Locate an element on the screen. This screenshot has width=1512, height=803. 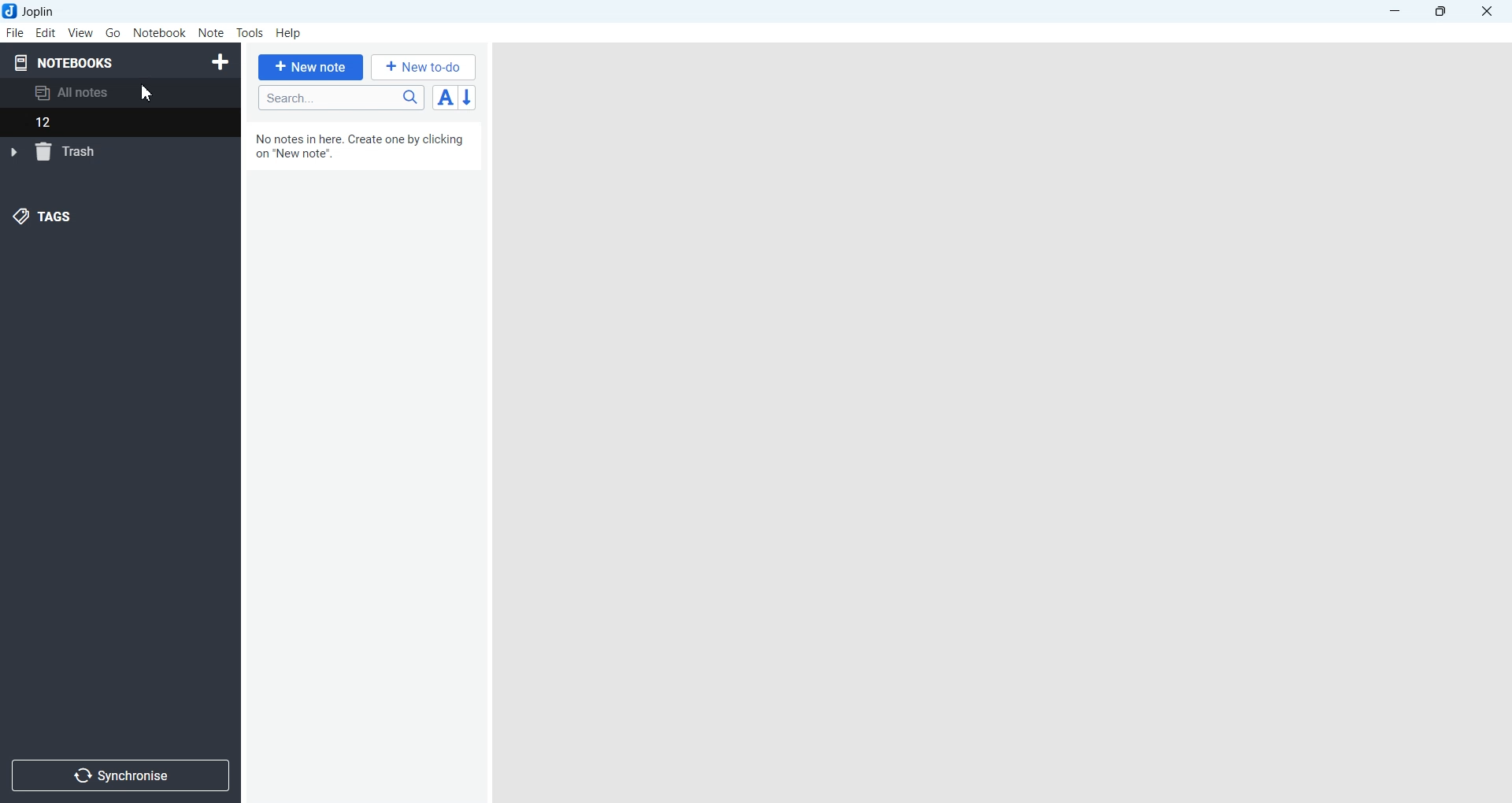
Minimize is located at coordinates (1395, 12).